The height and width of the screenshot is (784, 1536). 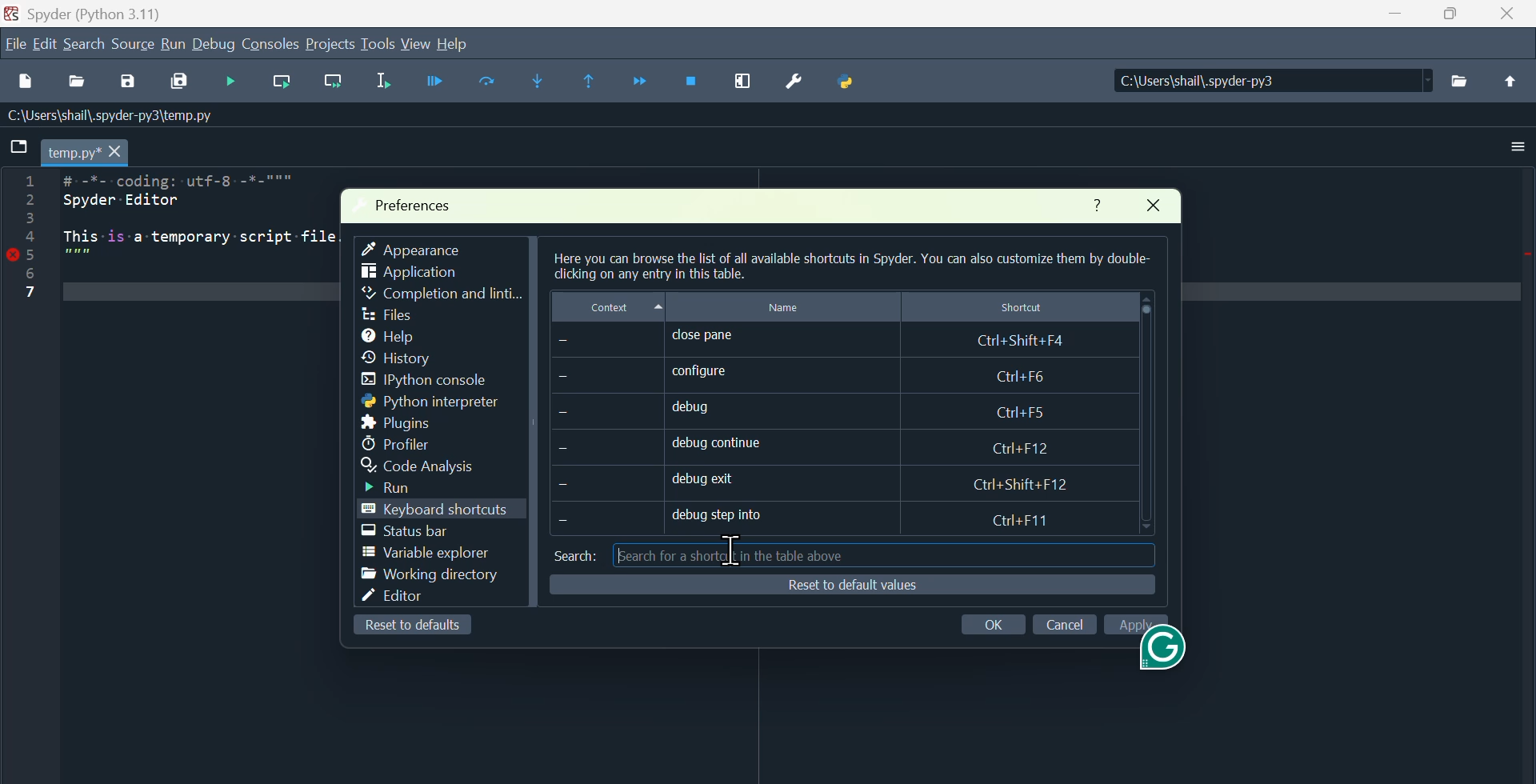 I want to click on Appearance, so click(x=423, y=247).